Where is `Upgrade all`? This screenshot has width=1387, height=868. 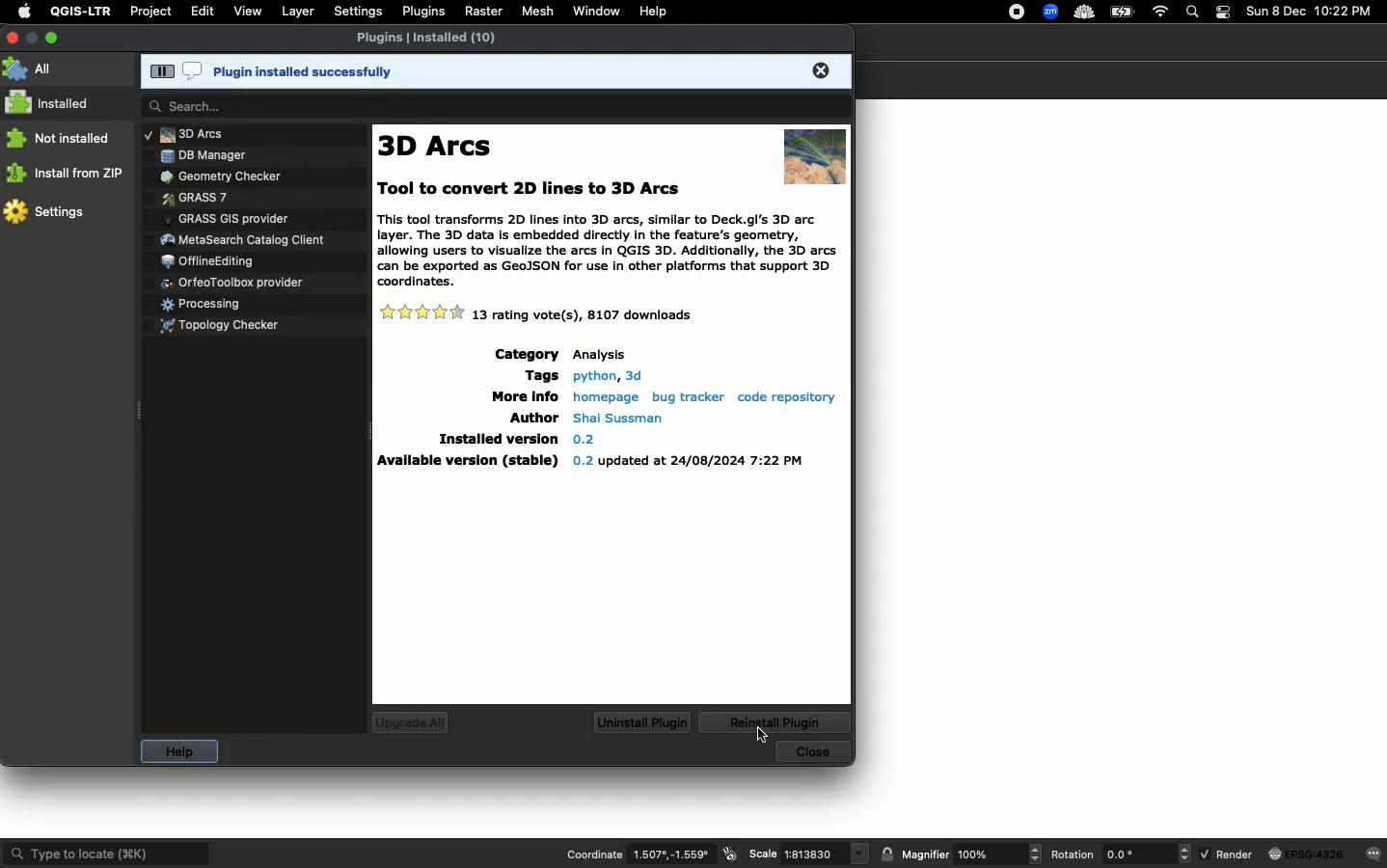 Upgrade all is located at coordinates (411, 723).